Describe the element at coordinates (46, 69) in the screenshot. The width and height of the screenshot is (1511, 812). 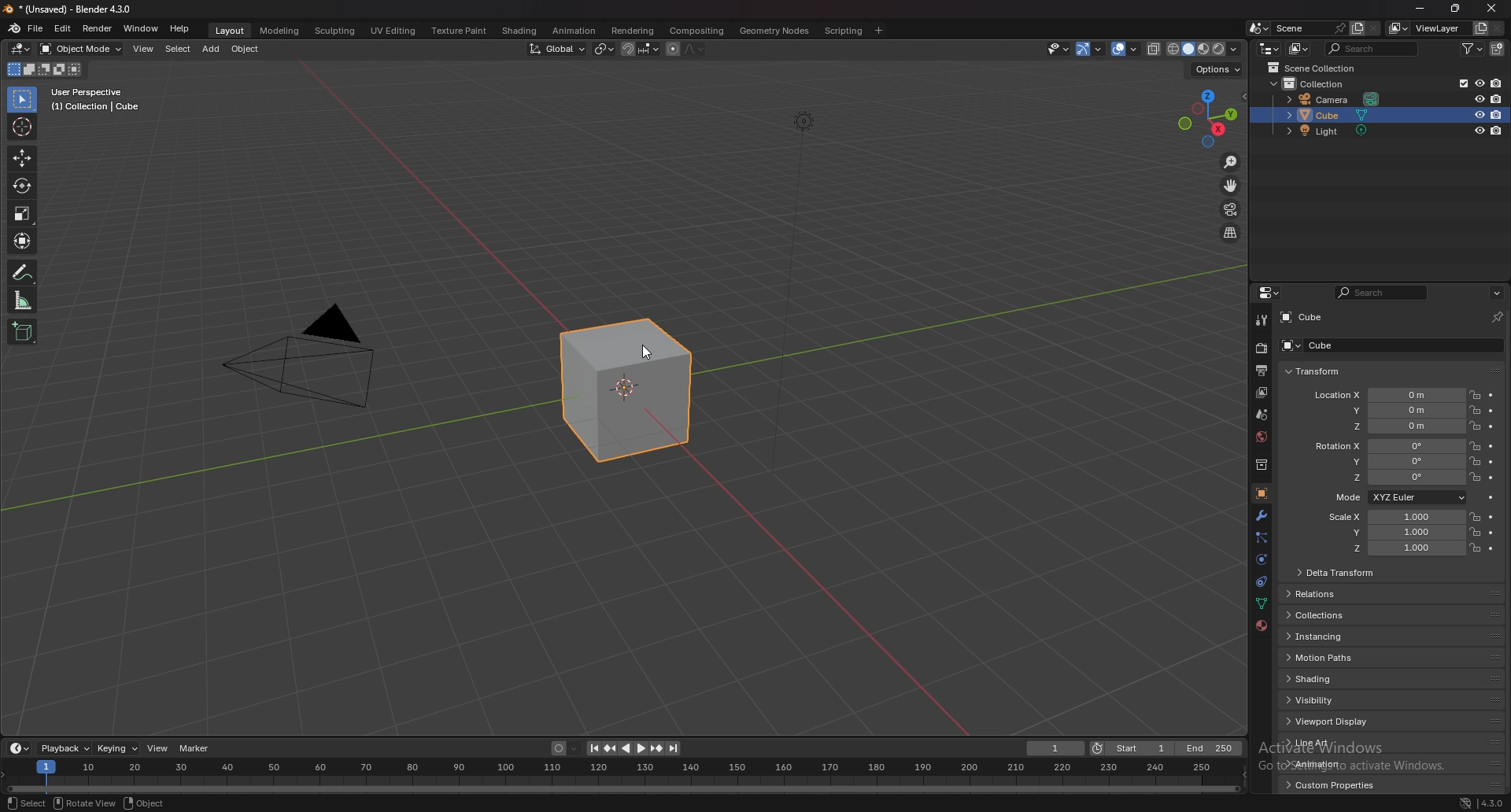
I see `mode` at that location.